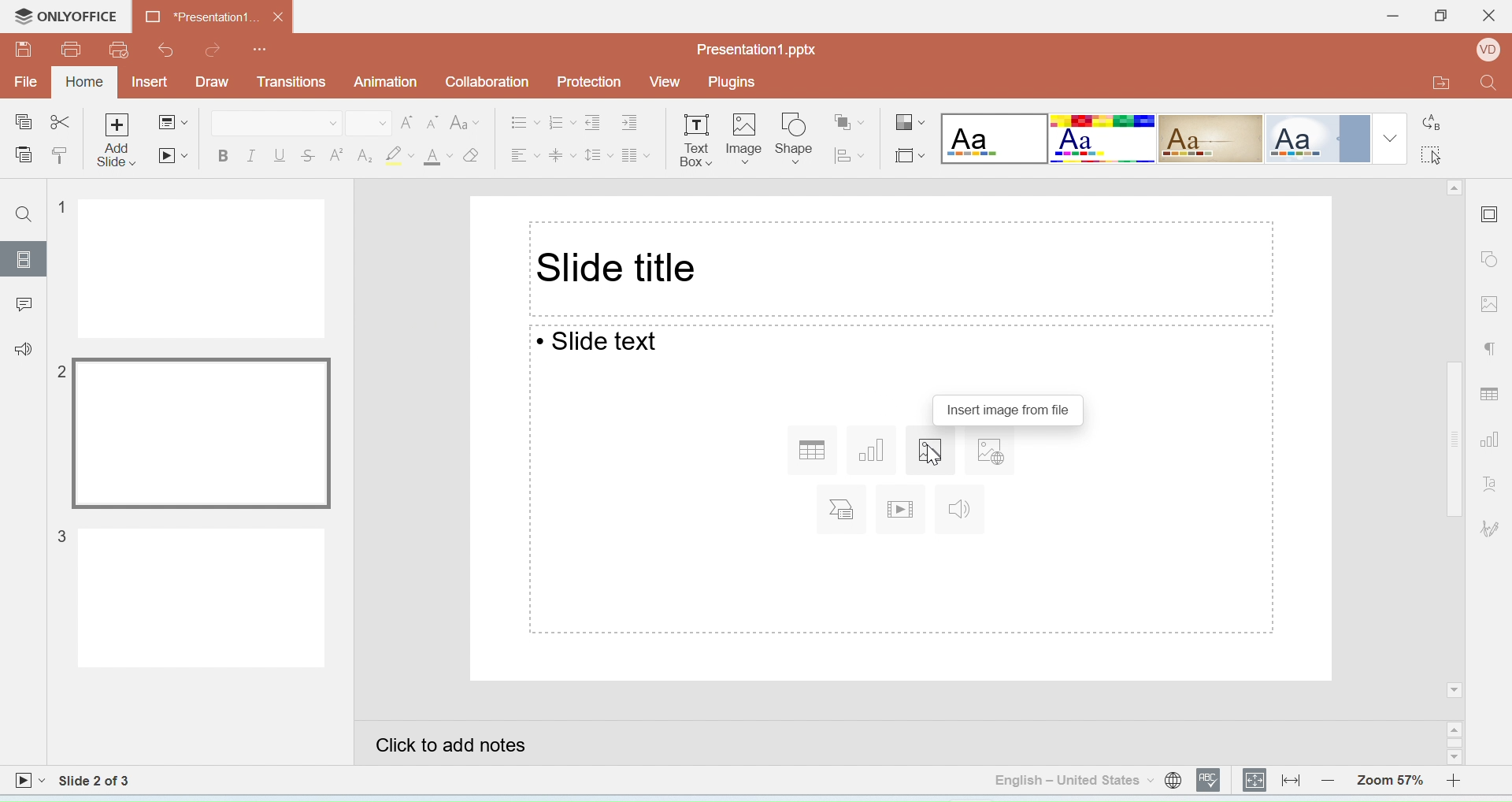  Describe the element at coordinates (1210, 780) in the screenshot. I see `Spell checking` at that location.